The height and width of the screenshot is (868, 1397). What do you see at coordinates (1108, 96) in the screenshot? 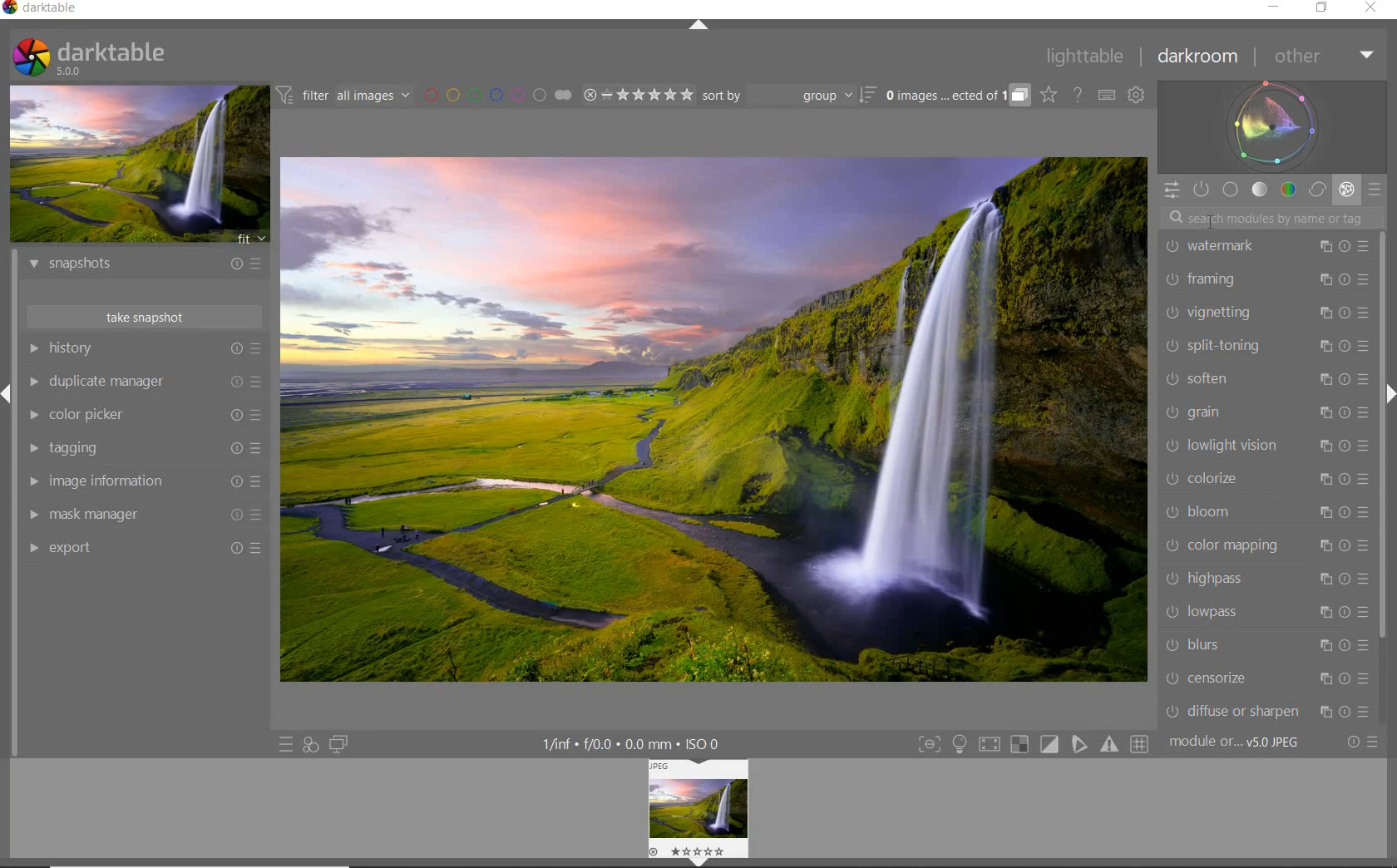
I see `SET KEYBOARD SHORTCUTS` at bounding box center [1108, 96].